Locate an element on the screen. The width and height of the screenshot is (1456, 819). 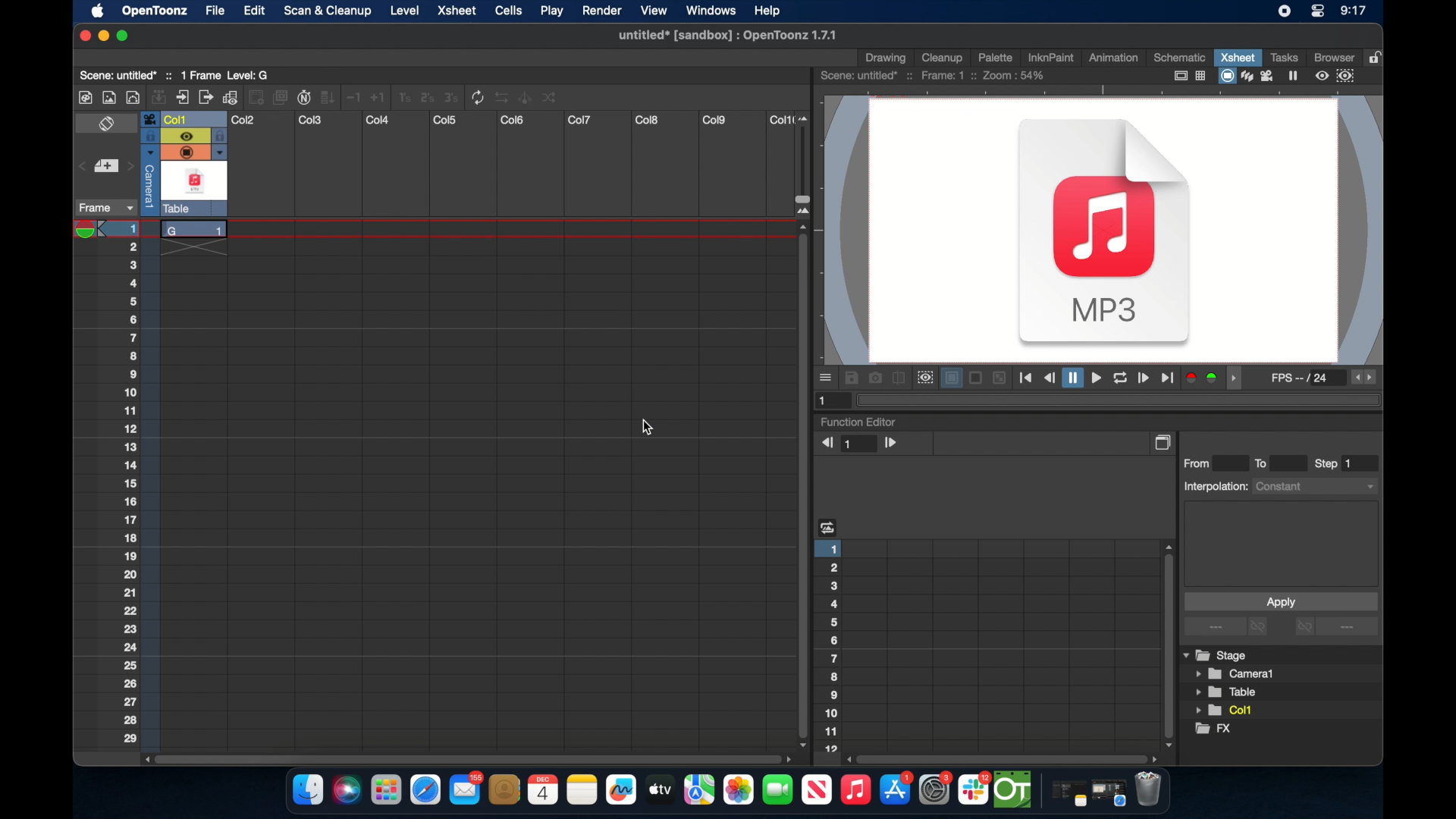
more  options is located at coordinates (1228, 627).